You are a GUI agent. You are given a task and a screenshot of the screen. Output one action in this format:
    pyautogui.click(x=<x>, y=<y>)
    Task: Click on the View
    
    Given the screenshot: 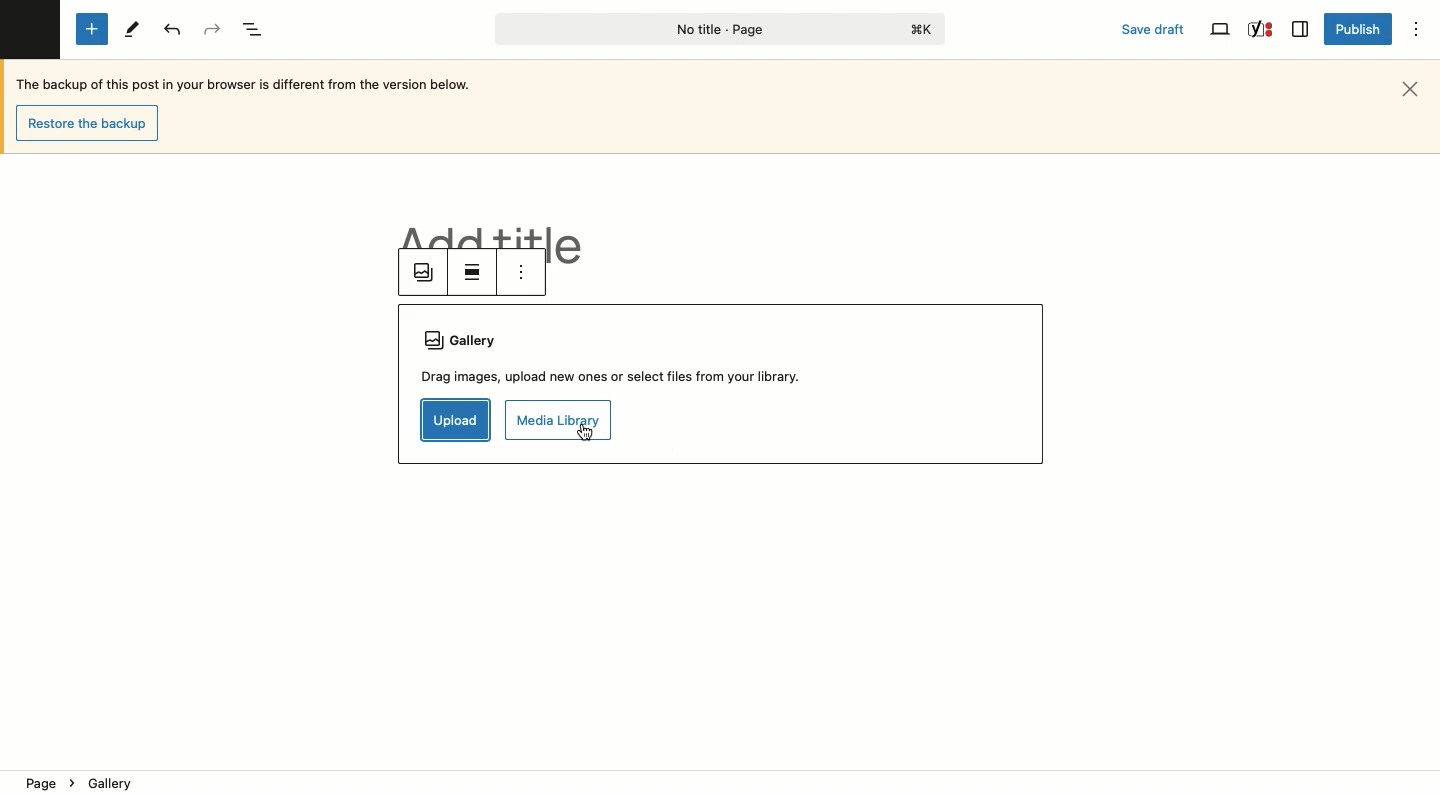 What is the action you would take?
    pyautogui.click(x=1218, y=31)
    